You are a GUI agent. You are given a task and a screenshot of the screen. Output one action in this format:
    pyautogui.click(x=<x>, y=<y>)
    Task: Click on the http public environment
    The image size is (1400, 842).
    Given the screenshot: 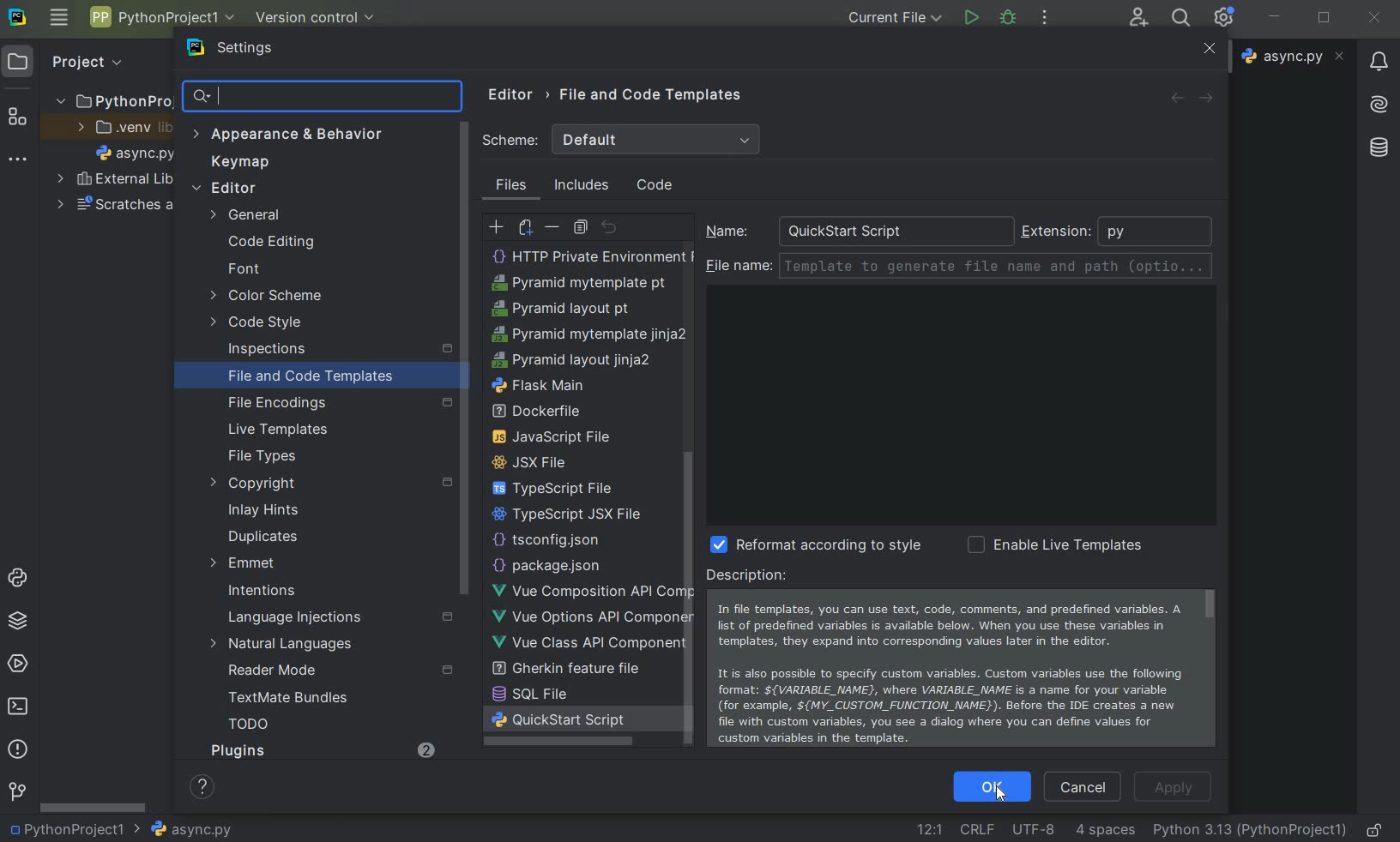 What is the action you would take?
    pyautogui.click(x=590, y=588)
    